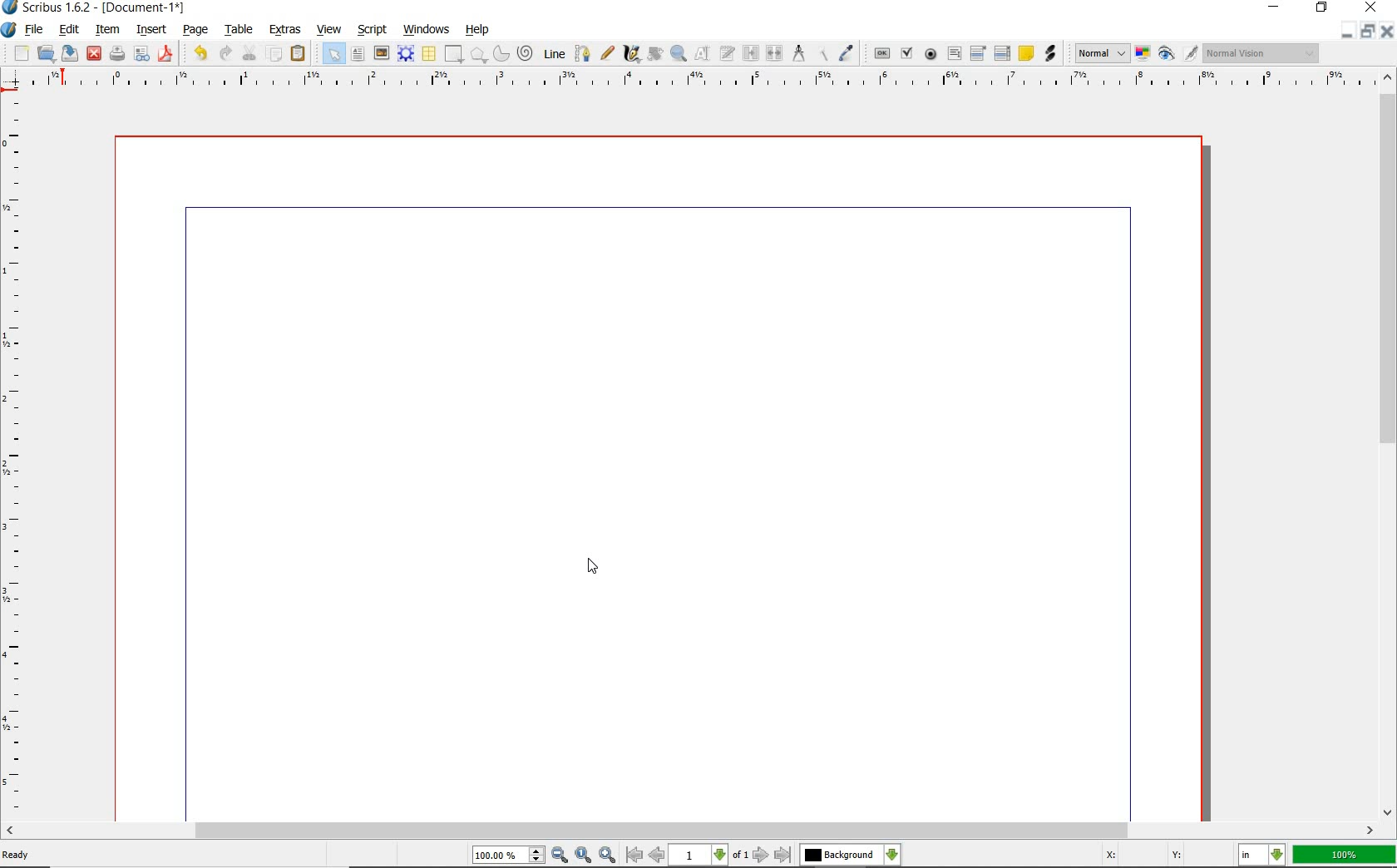  Describe the element at coordinates (546, 856) in the screenshot. I see `zoom in/zoom to/zoom out` at that location.